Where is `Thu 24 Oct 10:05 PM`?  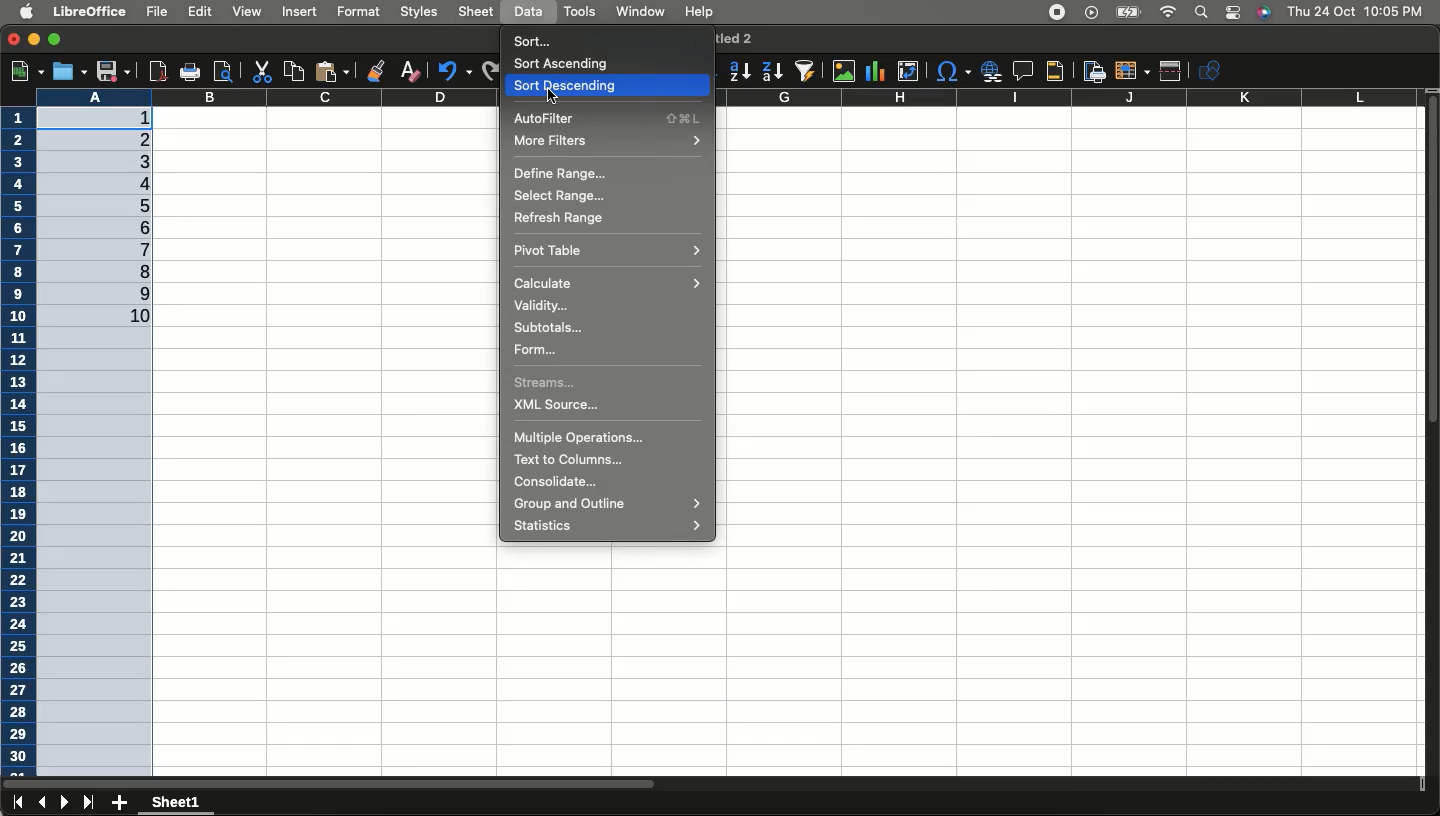
Thu 24 Oct 10:05 PM is located at coordinates (1357, 11).